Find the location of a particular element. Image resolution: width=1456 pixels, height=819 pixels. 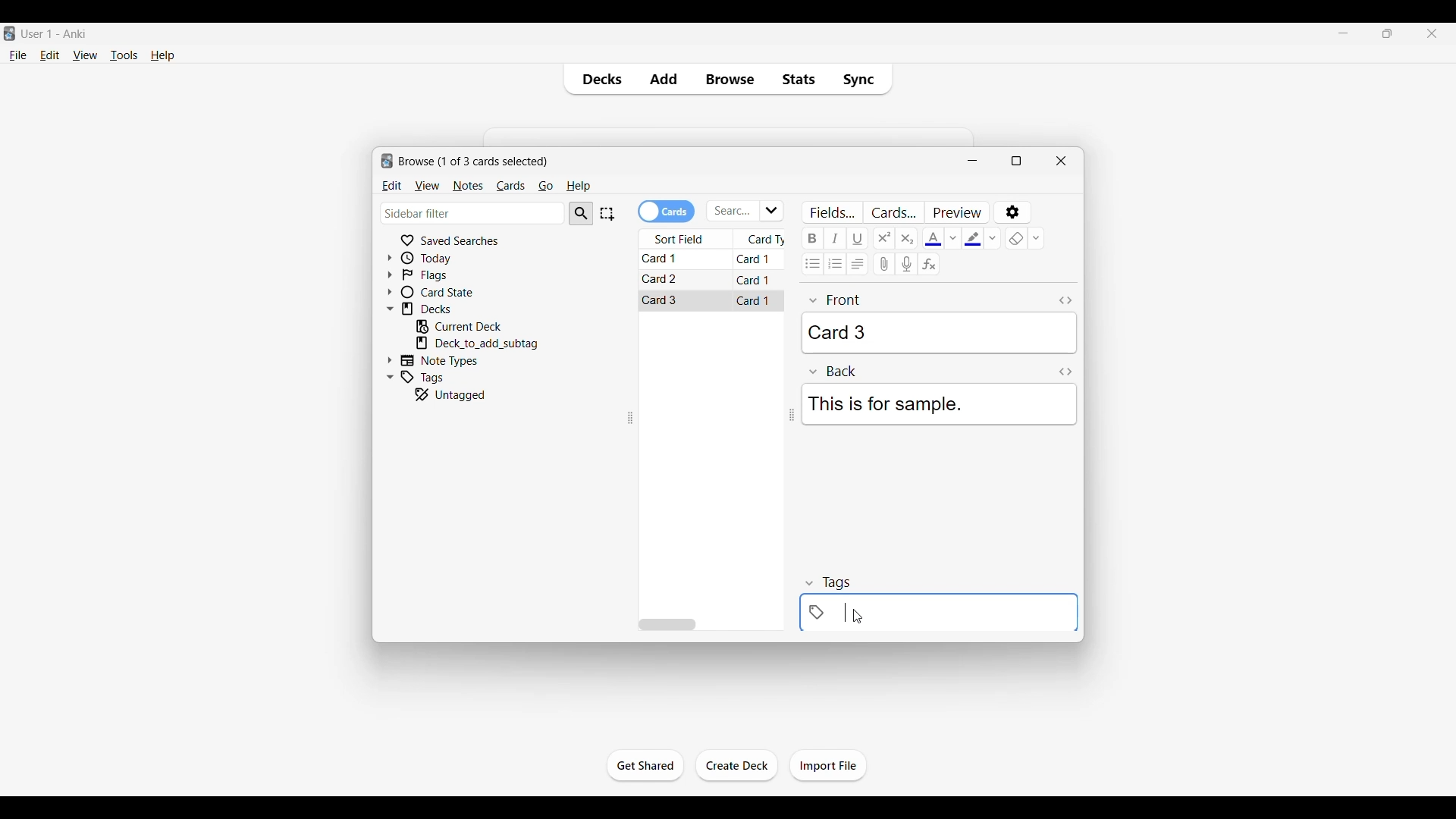

Show window in is located at coordinates (1017, 161).